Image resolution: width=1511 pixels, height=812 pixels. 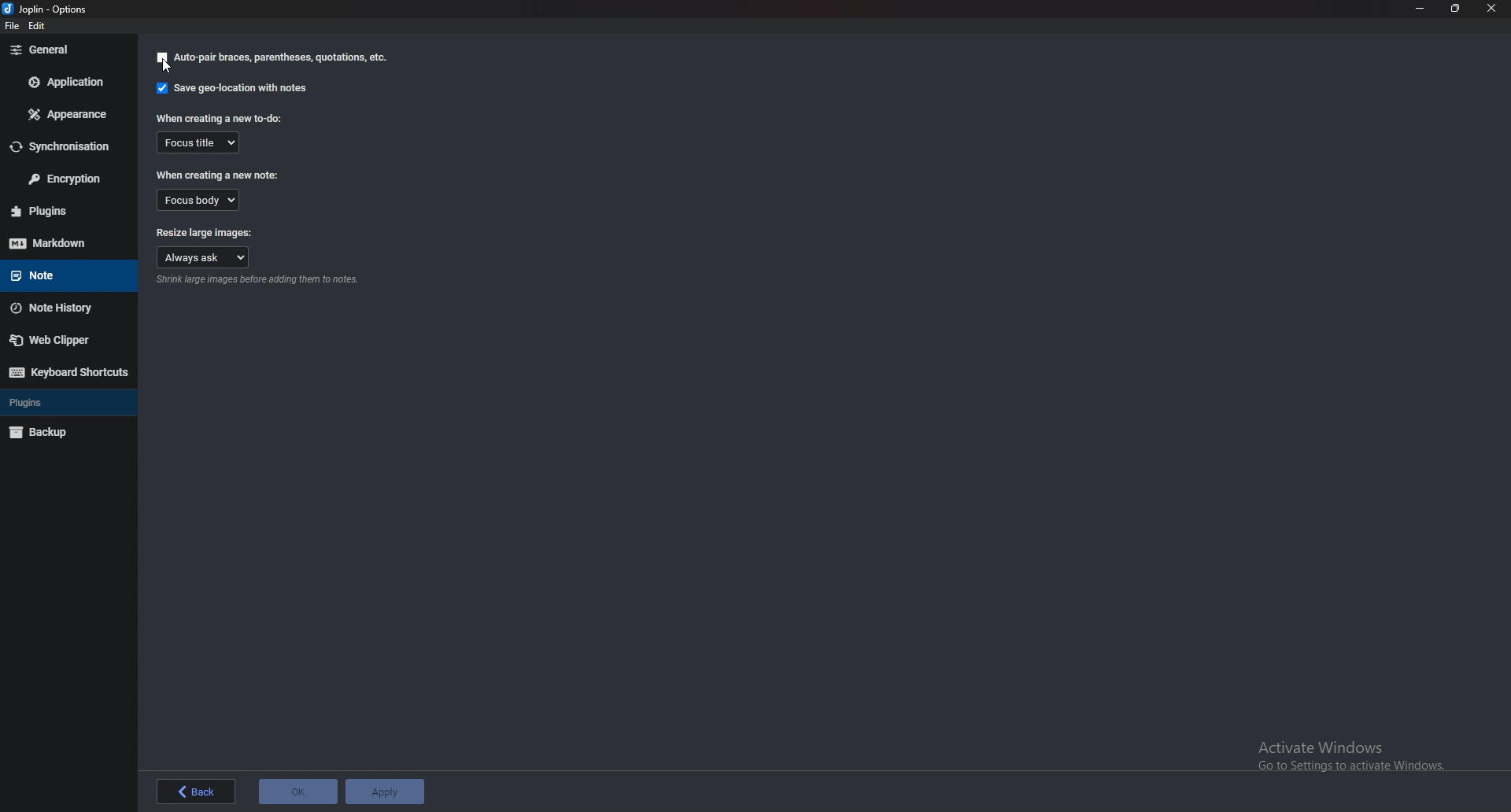 What do you see at coordinates (63, 401) in the screenshot?
I see `Plugins` at bounding box center [63, 401].